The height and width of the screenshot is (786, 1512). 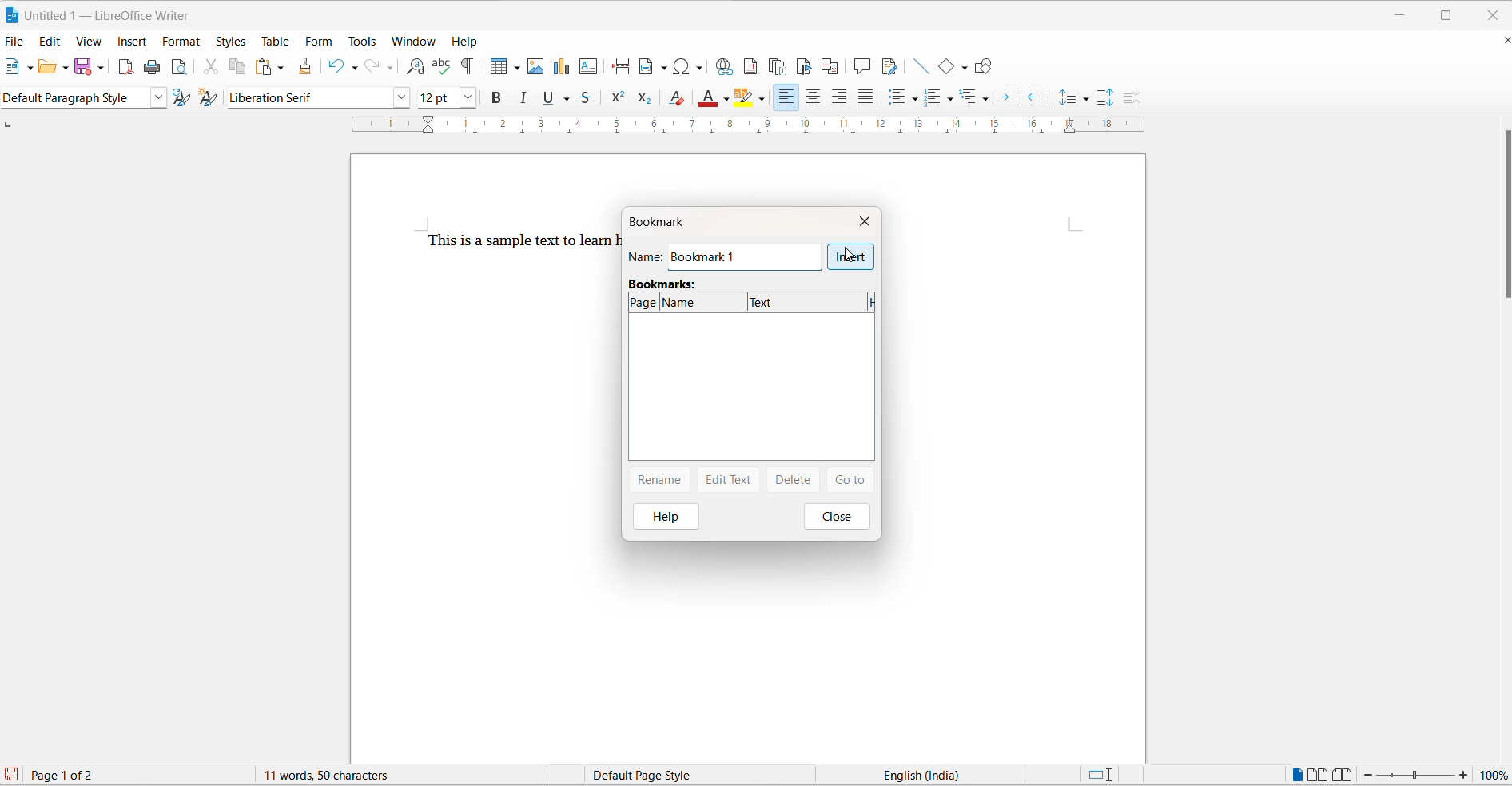 I want to click on file, so click(x=14, y=42).